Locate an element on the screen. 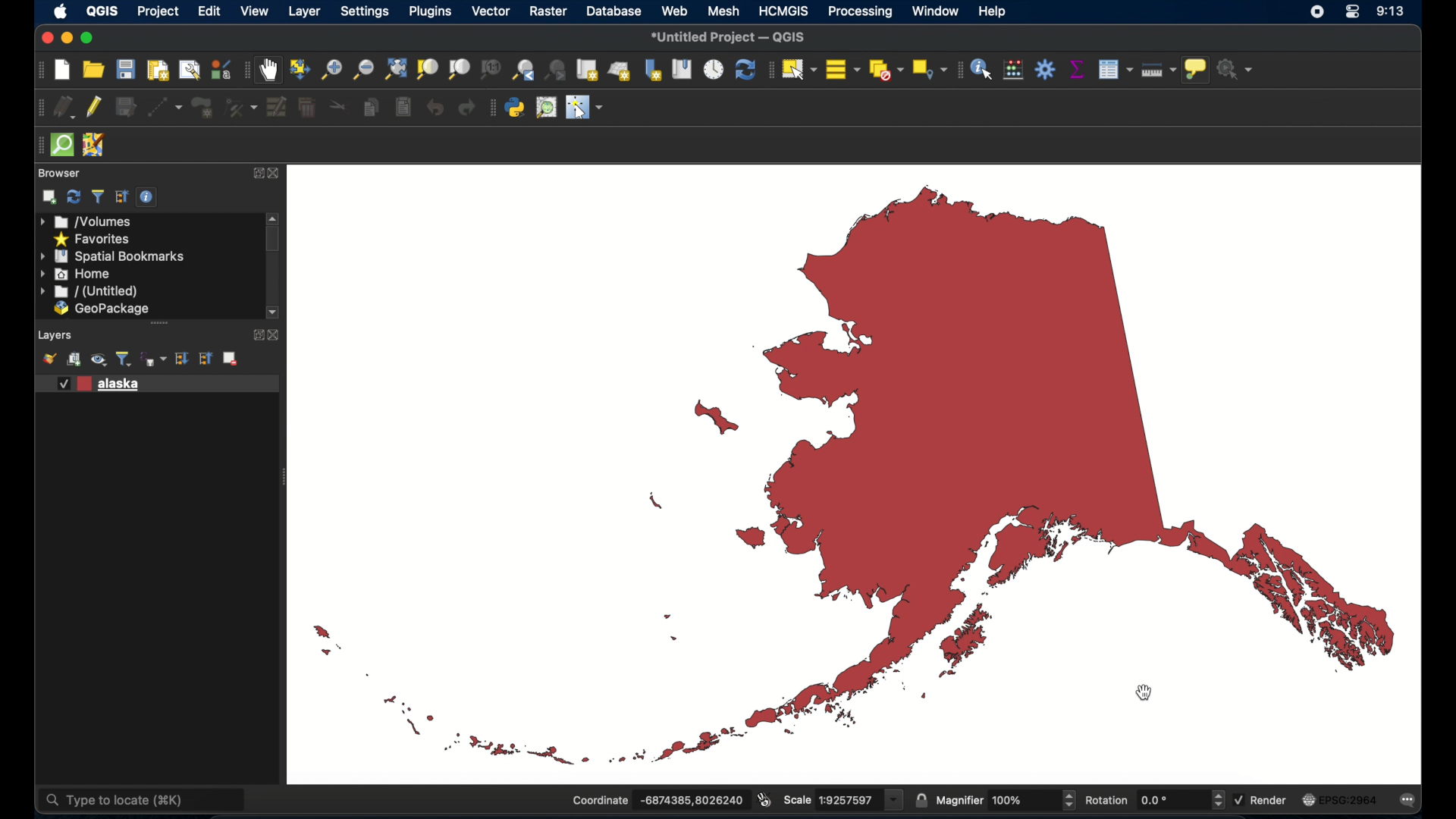  temporal controller panel is located at coordinates (714, 68).